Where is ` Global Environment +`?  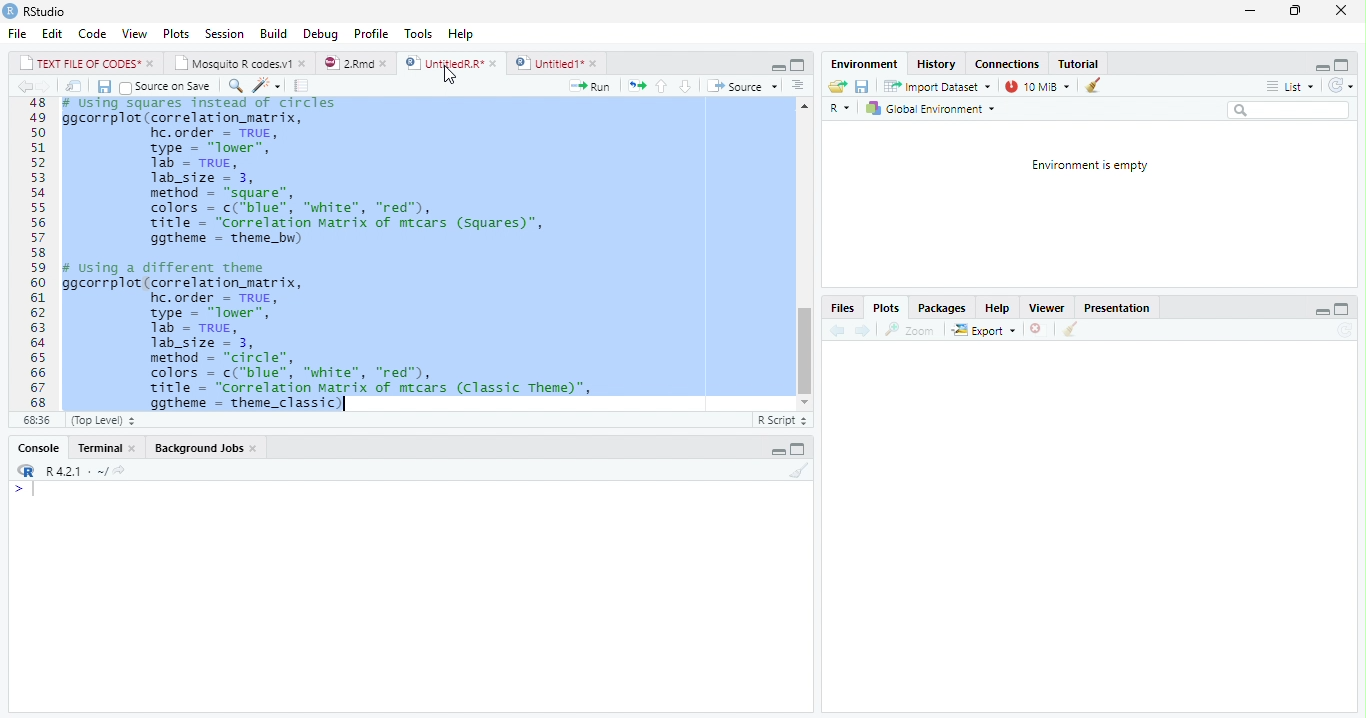
 Global Environment + is located at coordinates (937, 109).